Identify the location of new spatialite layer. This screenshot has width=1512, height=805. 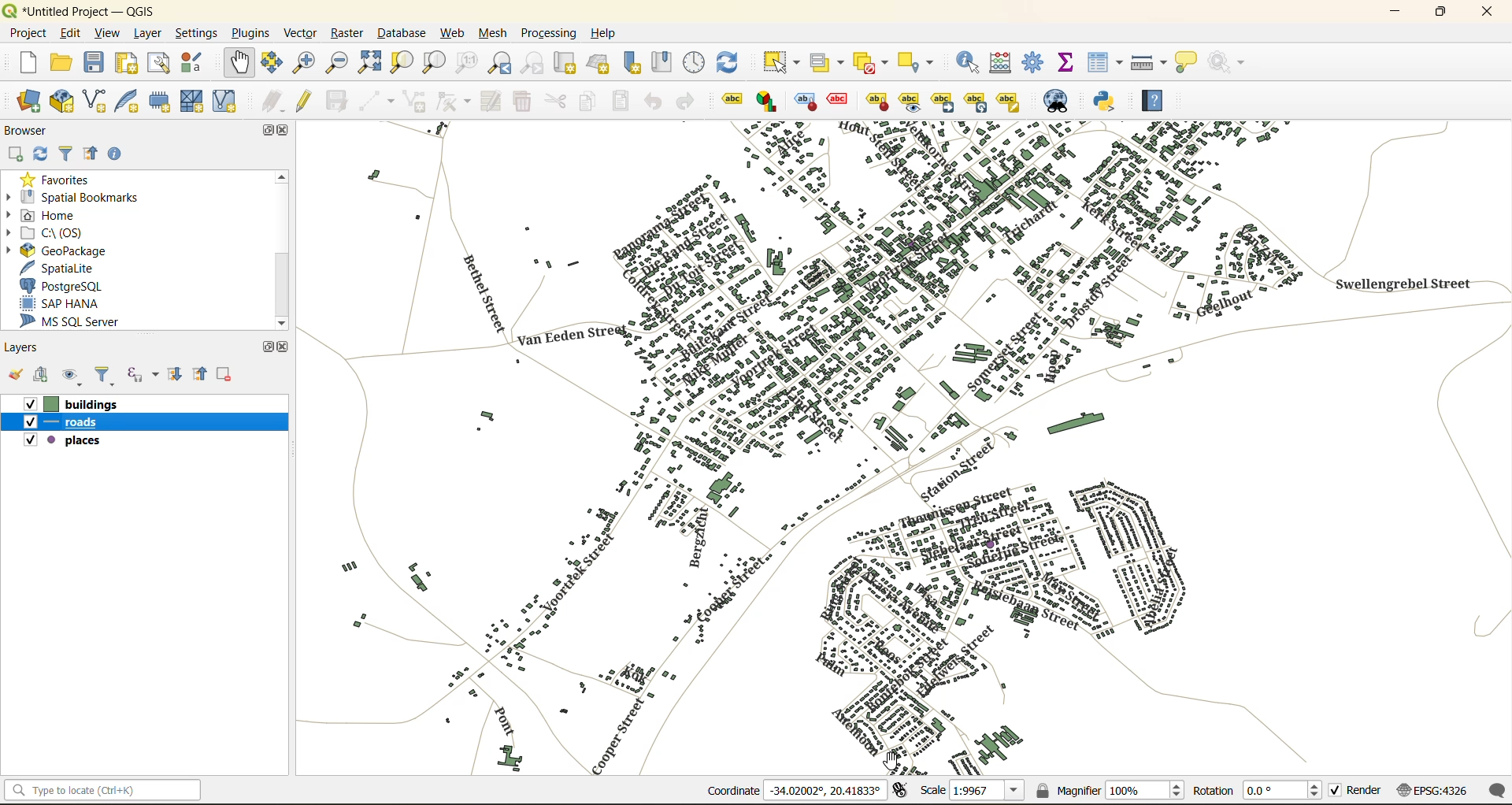
(132, 103).